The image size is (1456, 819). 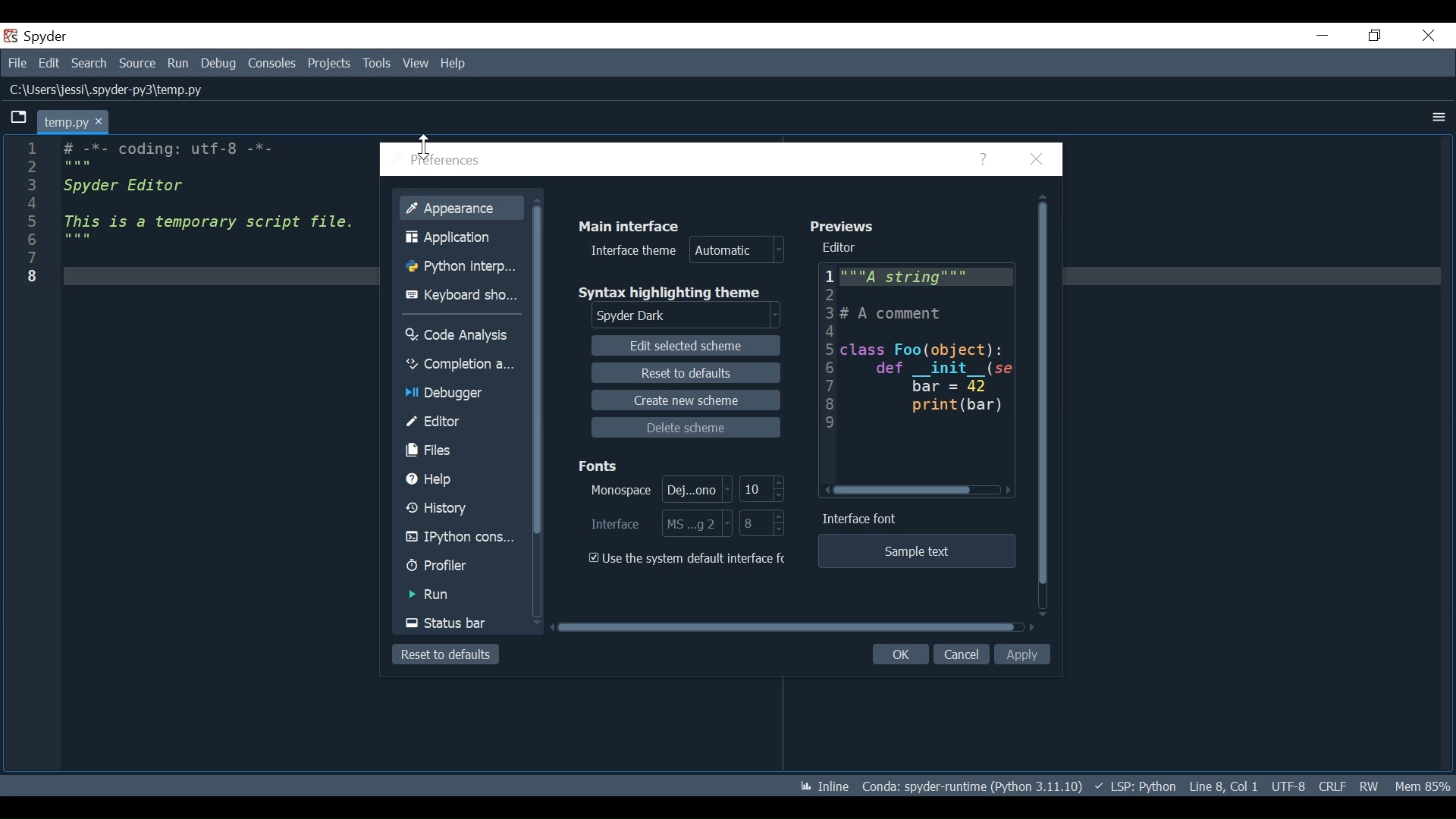 I want to click on Vertical Scroll bar, so click(x=902, y=491).